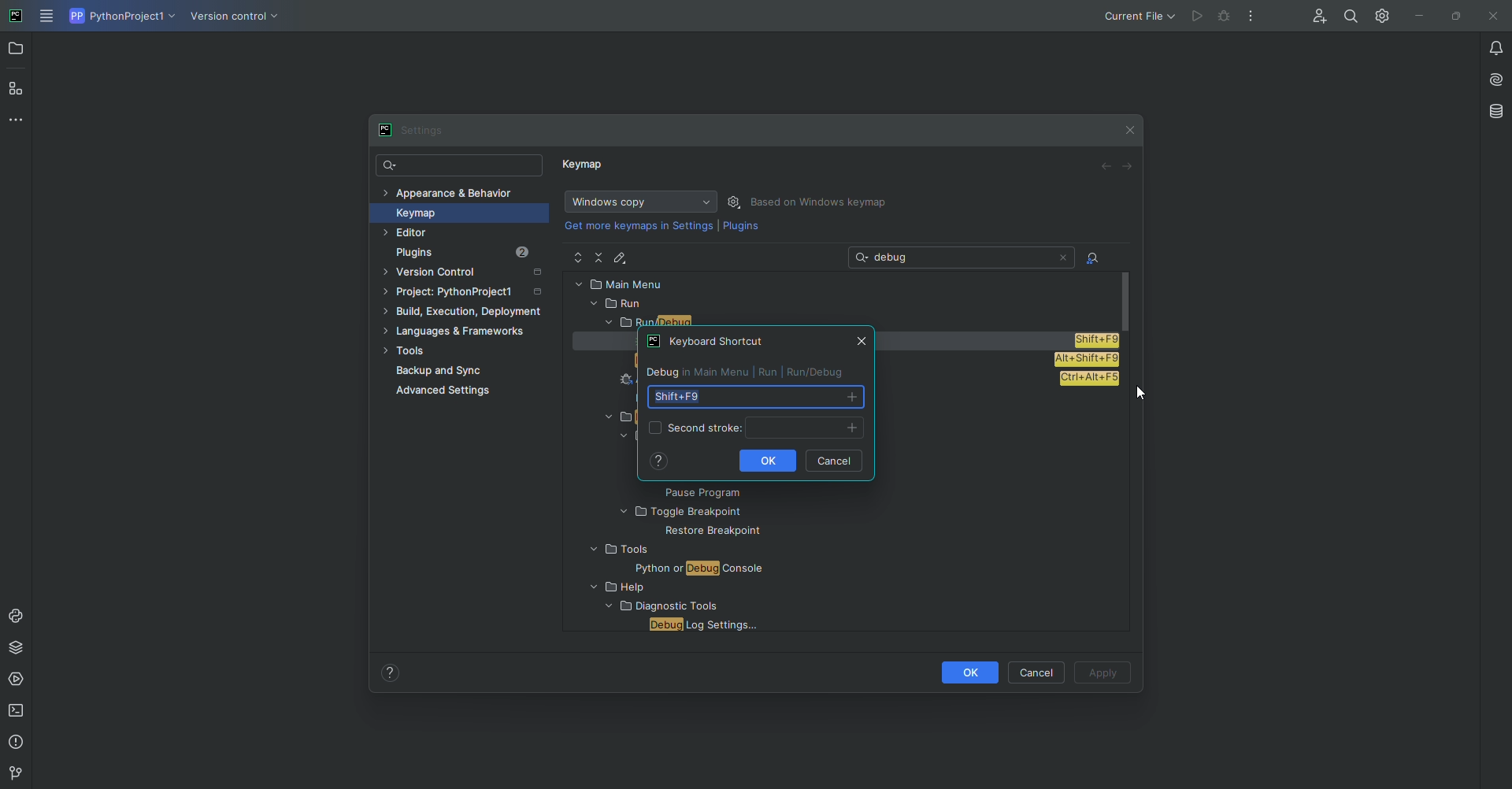 This screenshot has width=1512, height=789. Describe the element at coordinates (840, 304) in the screenshot. I see `RUN` at that location.